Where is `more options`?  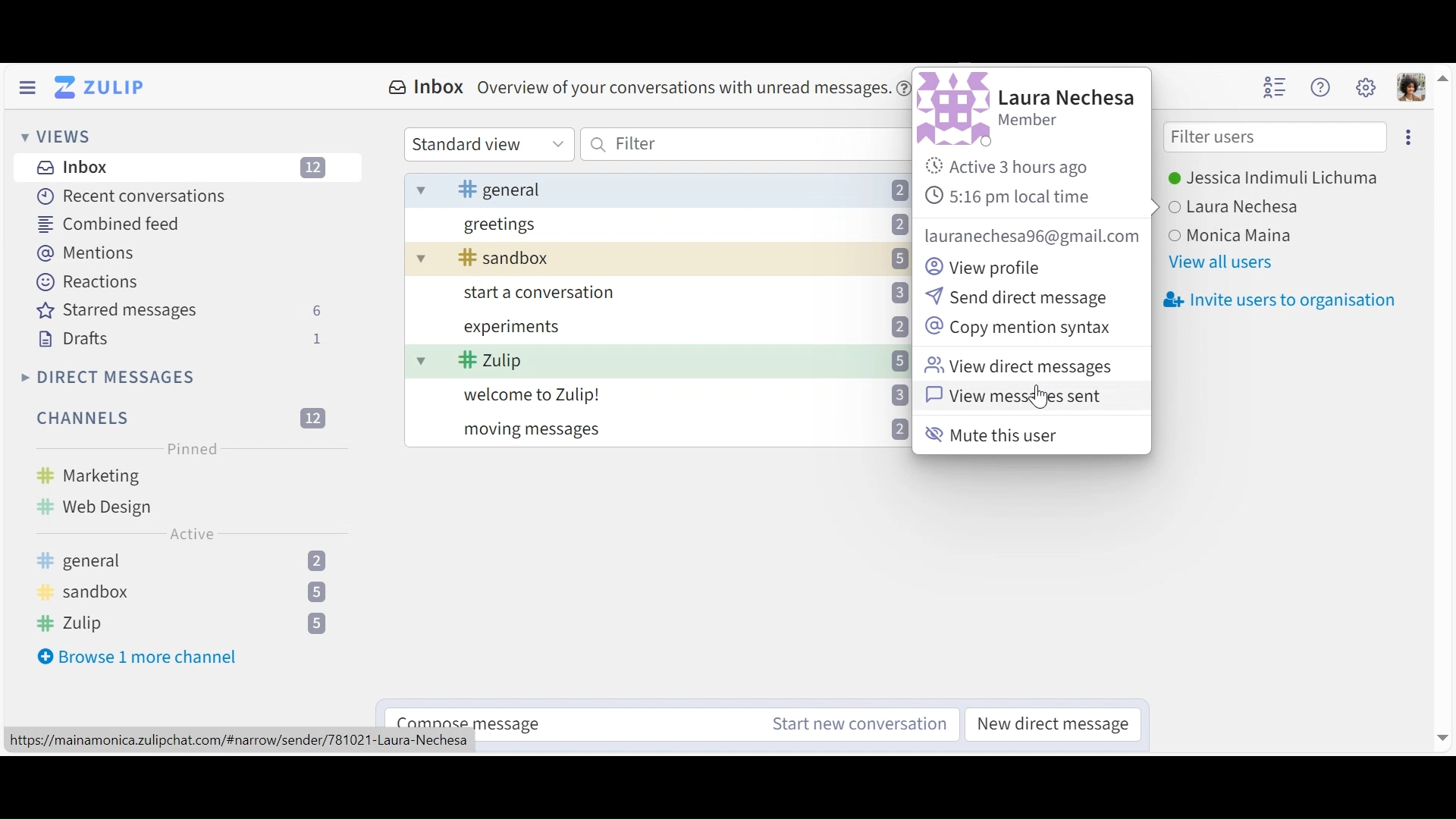
more options is located at coordinates (1409, 137).